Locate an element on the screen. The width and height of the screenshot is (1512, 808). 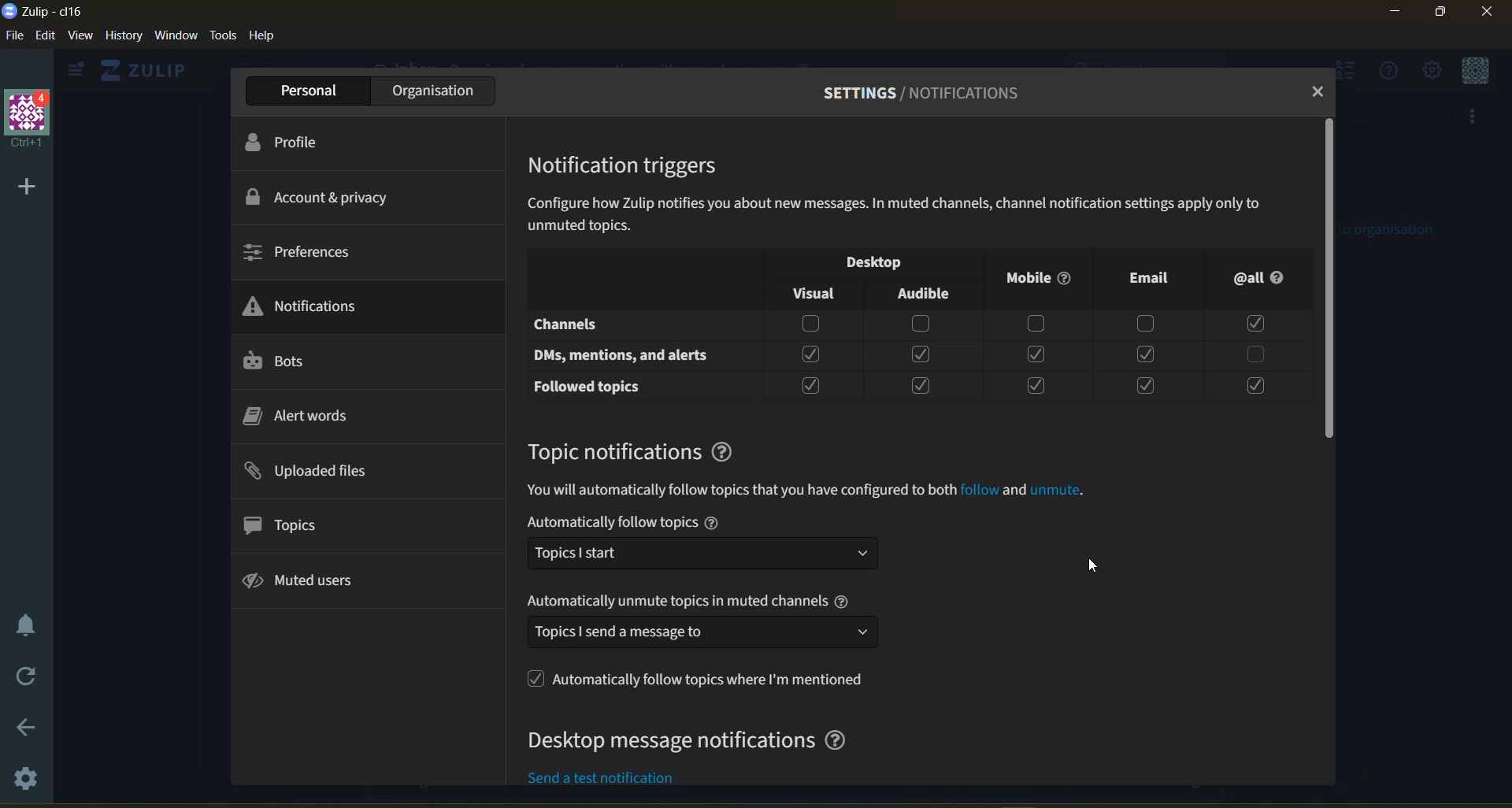
Checkbox is located at coordinates (1144, 387).